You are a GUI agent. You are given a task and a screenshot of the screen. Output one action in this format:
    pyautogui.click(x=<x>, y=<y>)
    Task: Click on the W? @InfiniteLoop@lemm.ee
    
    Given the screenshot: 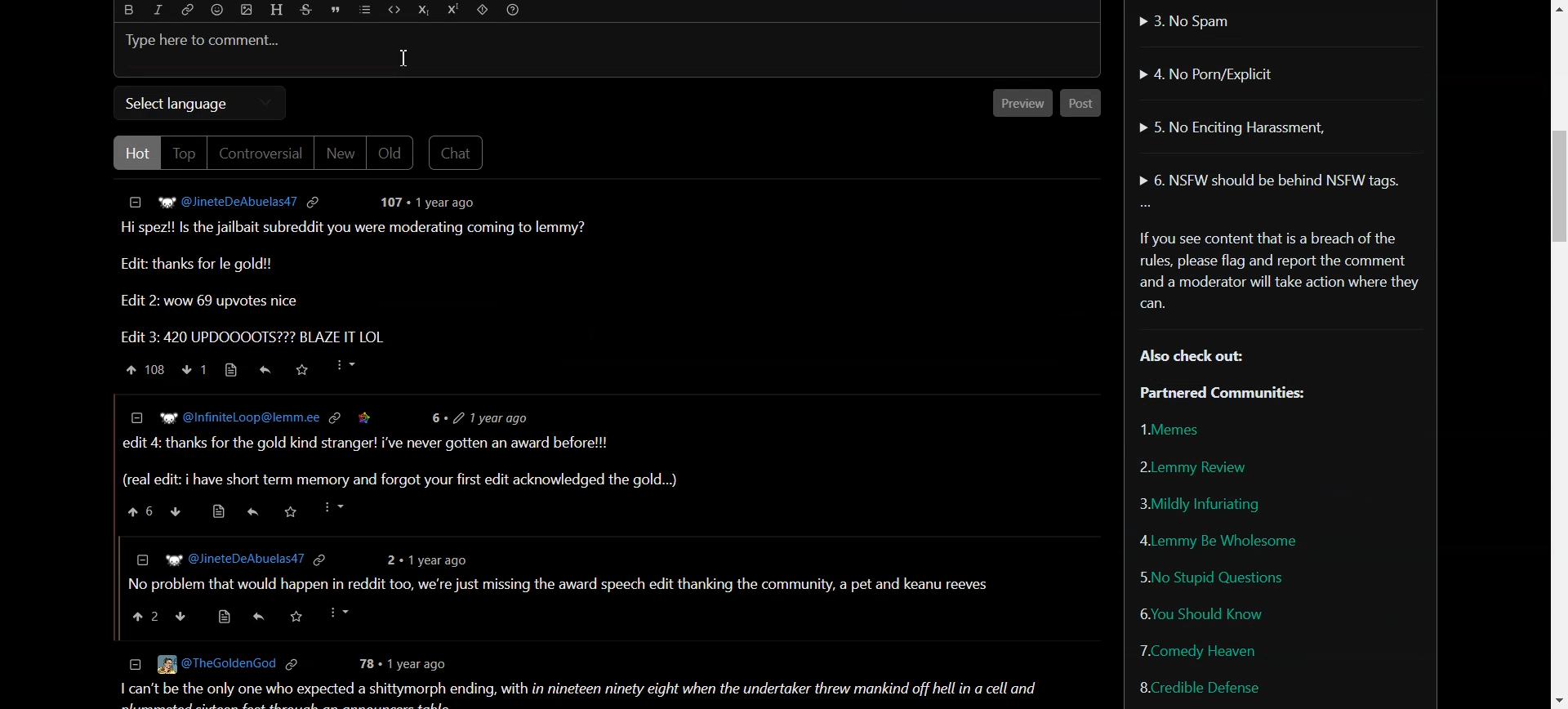 What is the action you would take?
    pyautogui.click(x=252, y=417)
    